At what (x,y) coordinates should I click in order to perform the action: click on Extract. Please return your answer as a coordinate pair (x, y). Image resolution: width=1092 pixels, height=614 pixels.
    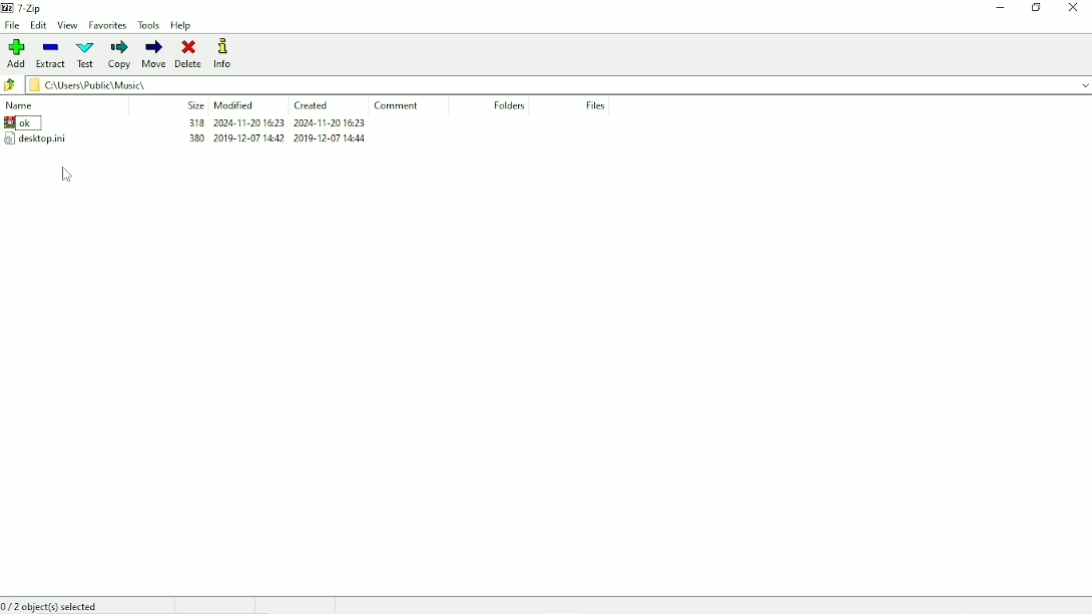
    Looking at the image, I should click on (49, 55).